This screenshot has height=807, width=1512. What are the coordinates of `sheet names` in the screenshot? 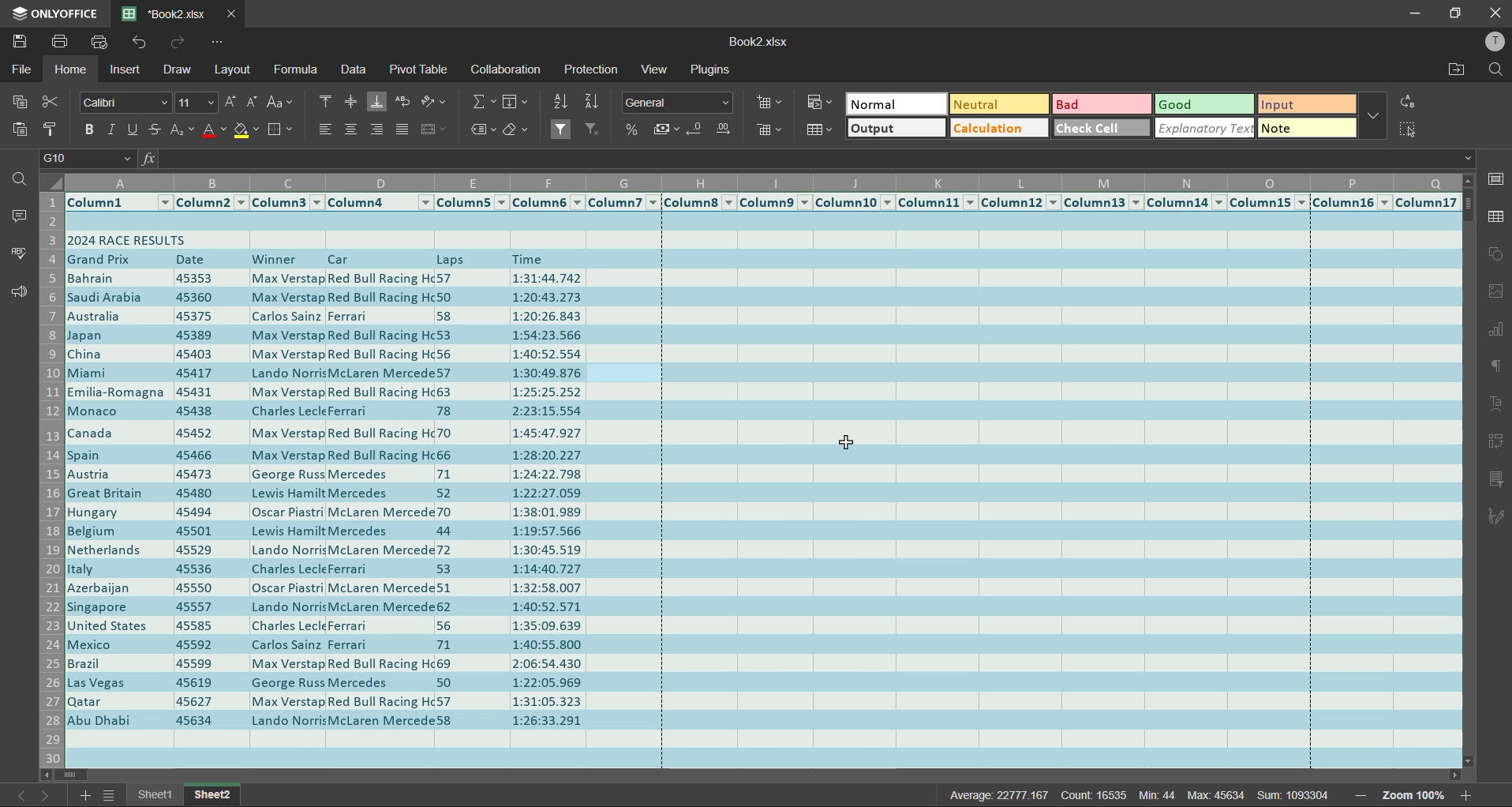 It's located at (186, 795).